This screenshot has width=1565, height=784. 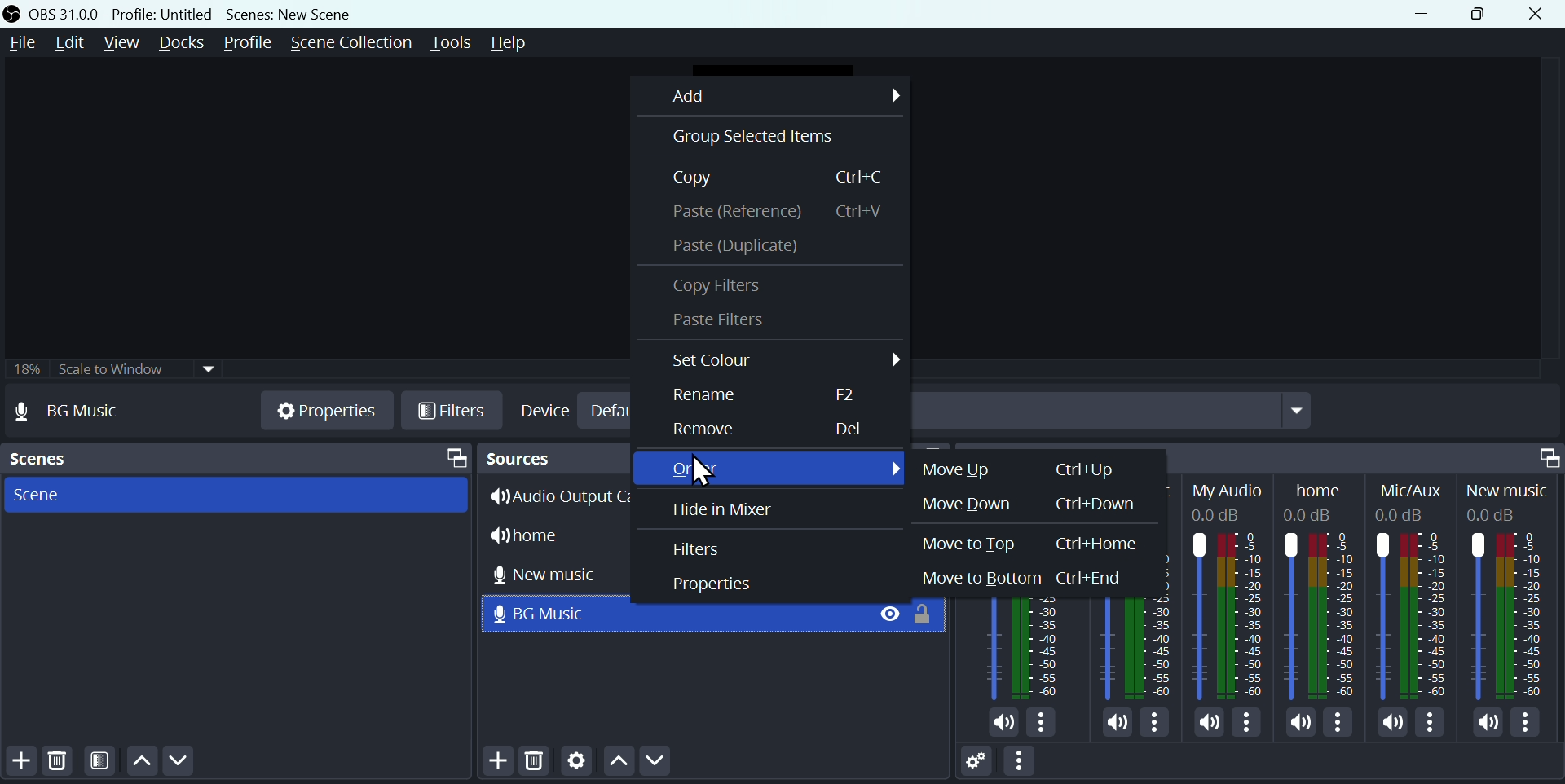 I want to click on Scenes, so click(x=48, y=460).